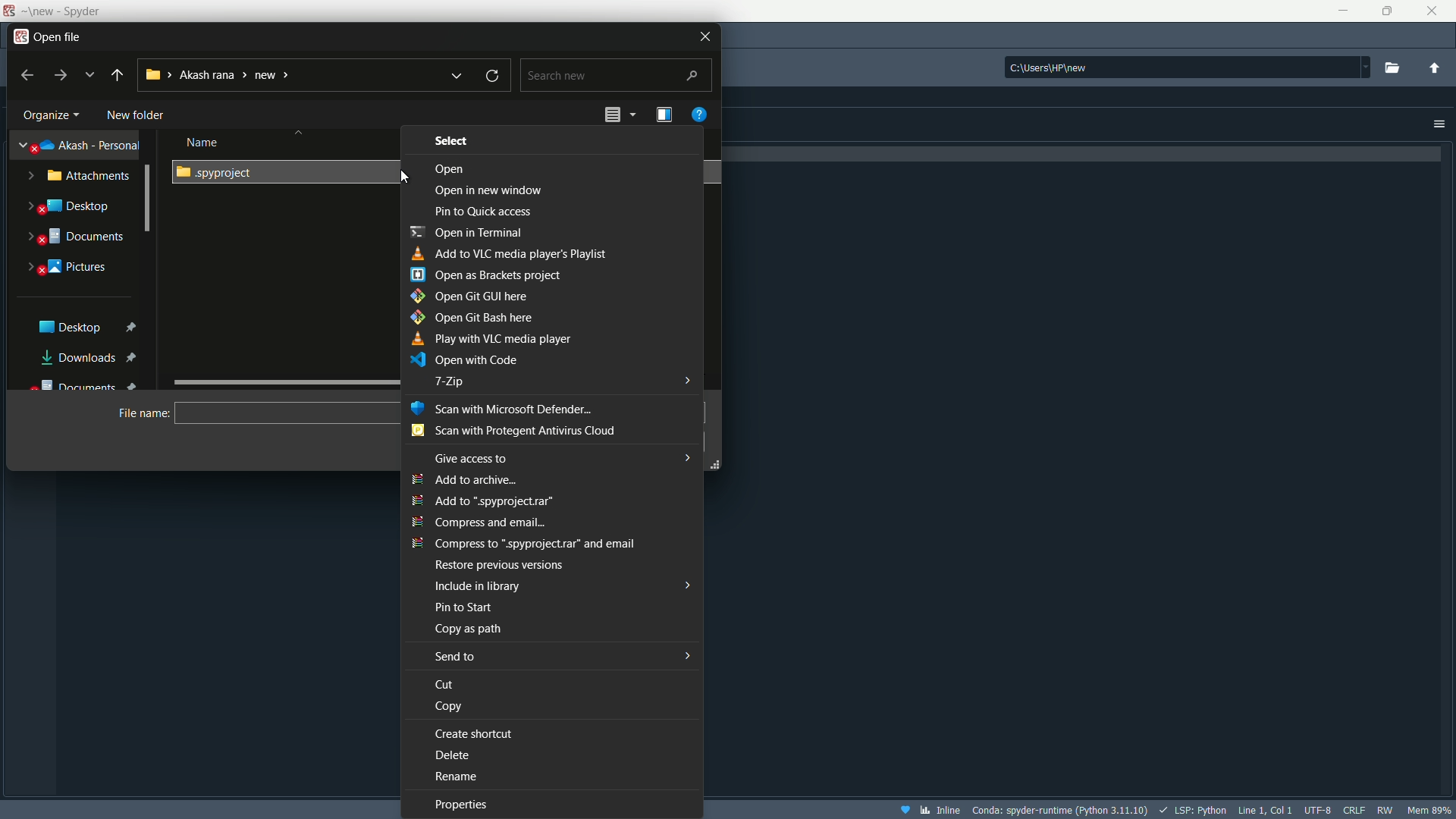 The image size is (1456, 819). Describe the element at coordinates (1432, 11) in the screenshot. I see `close` at that location.